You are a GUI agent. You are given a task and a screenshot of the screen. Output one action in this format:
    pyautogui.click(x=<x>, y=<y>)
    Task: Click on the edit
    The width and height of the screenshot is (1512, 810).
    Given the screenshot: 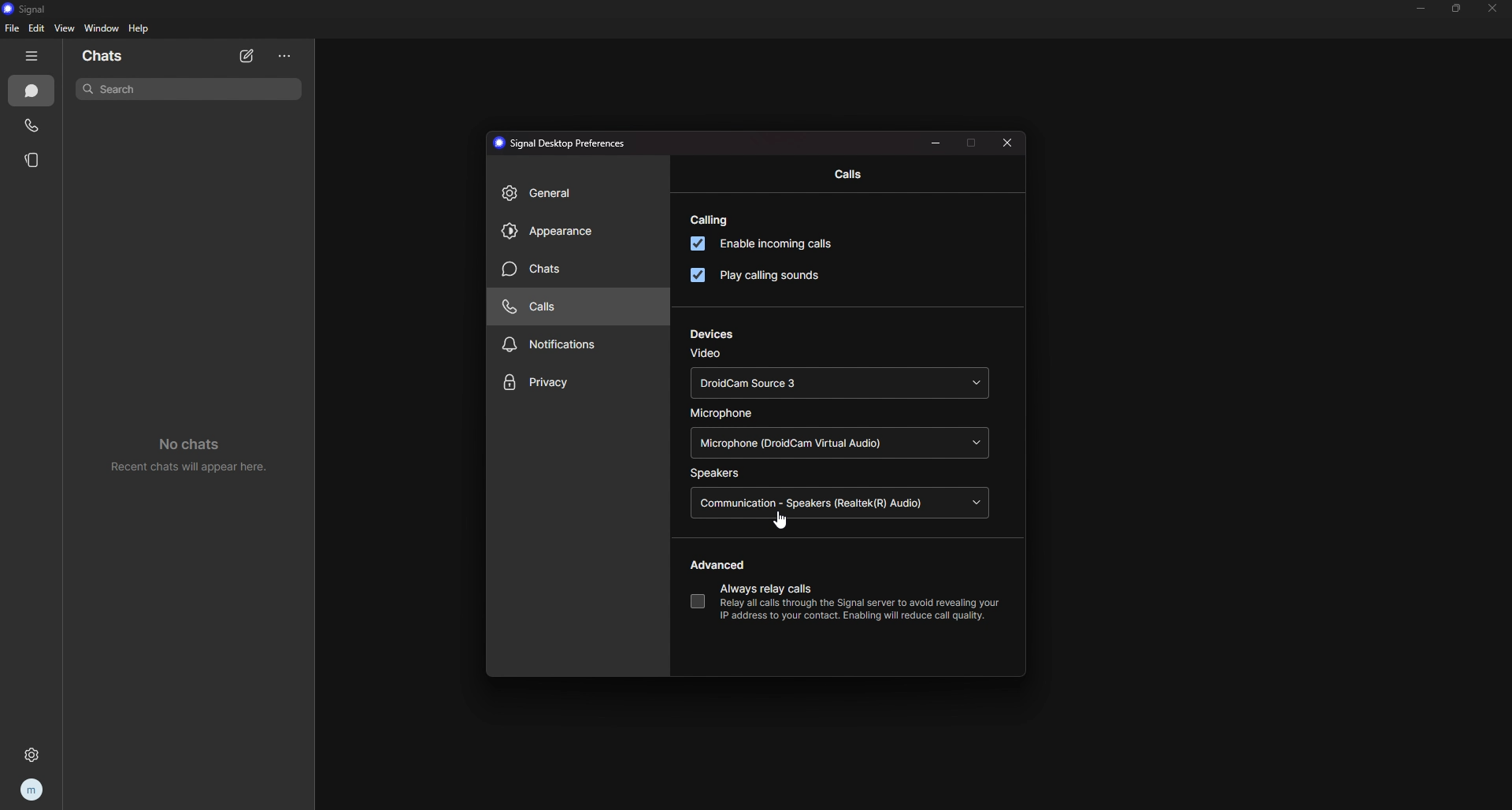 What is the action you would take?
    pyautogui.click(x=38, y=28)
    